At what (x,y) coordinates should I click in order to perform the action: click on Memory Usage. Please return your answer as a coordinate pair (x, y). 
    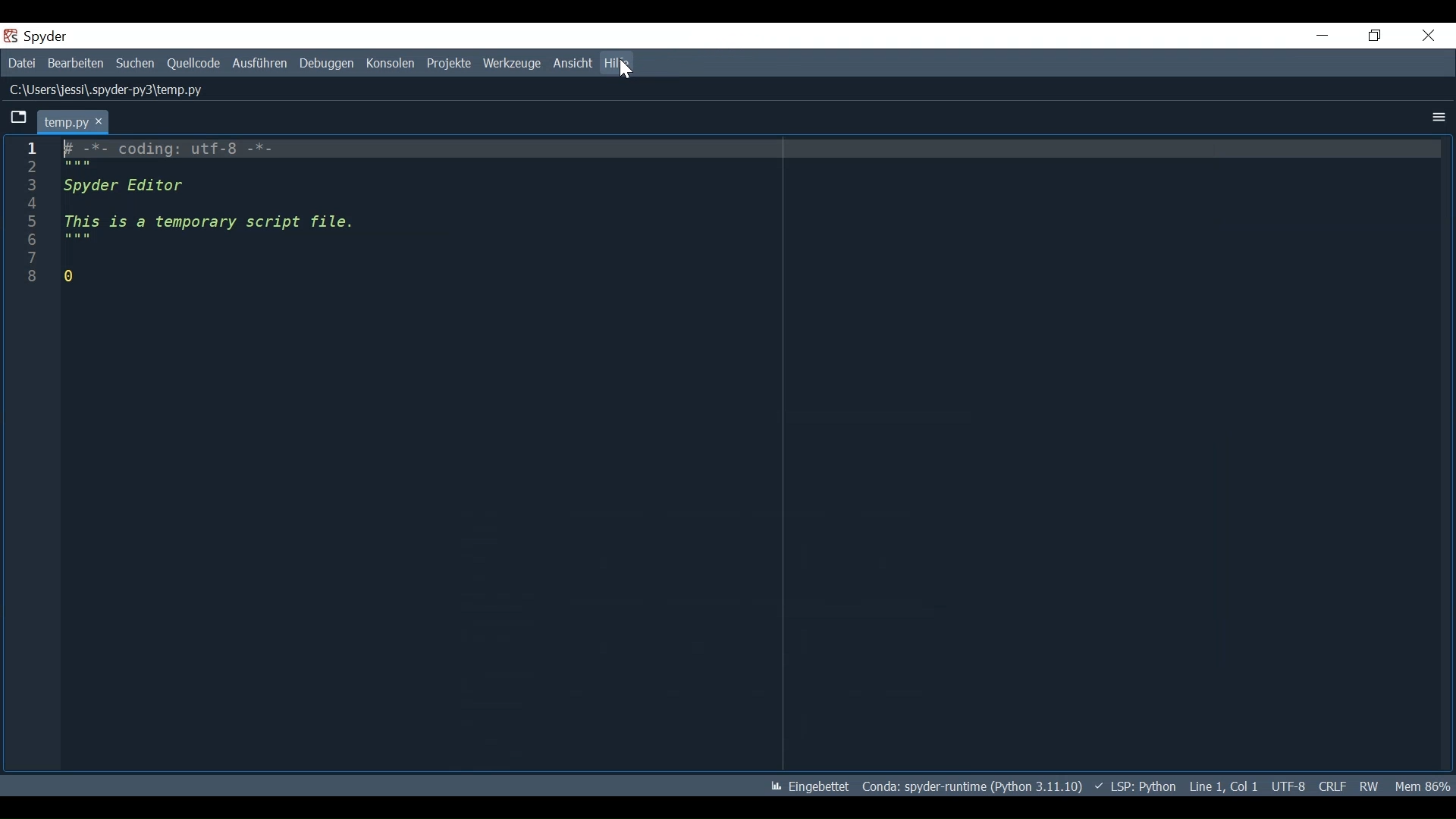
    Looking at the image, I should click on (1423, 786).